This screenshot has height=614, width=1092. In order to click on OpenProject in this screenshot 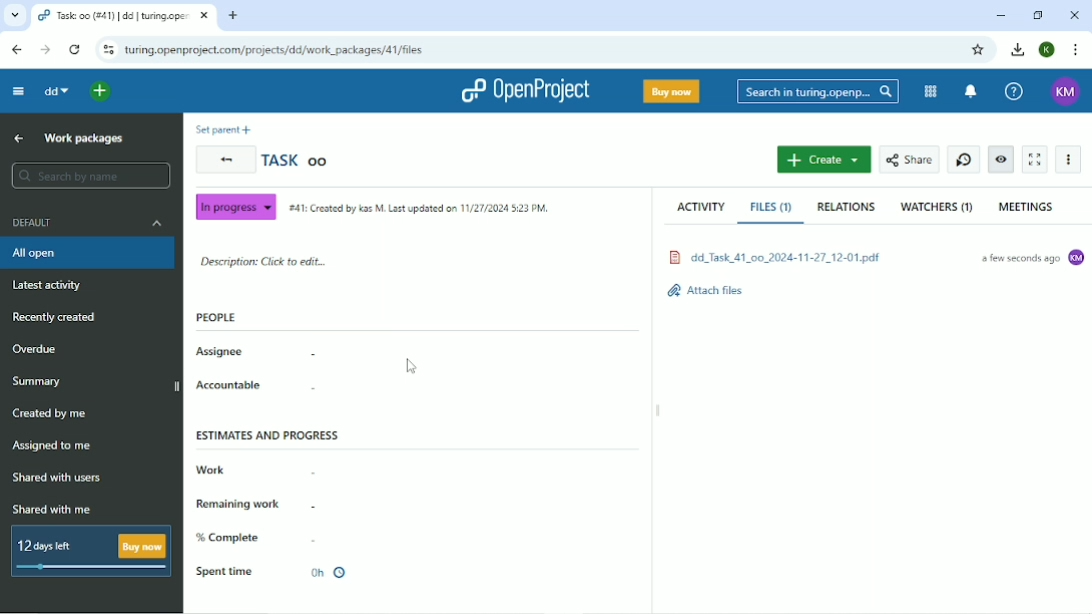, I will do `click(528, 90)`.